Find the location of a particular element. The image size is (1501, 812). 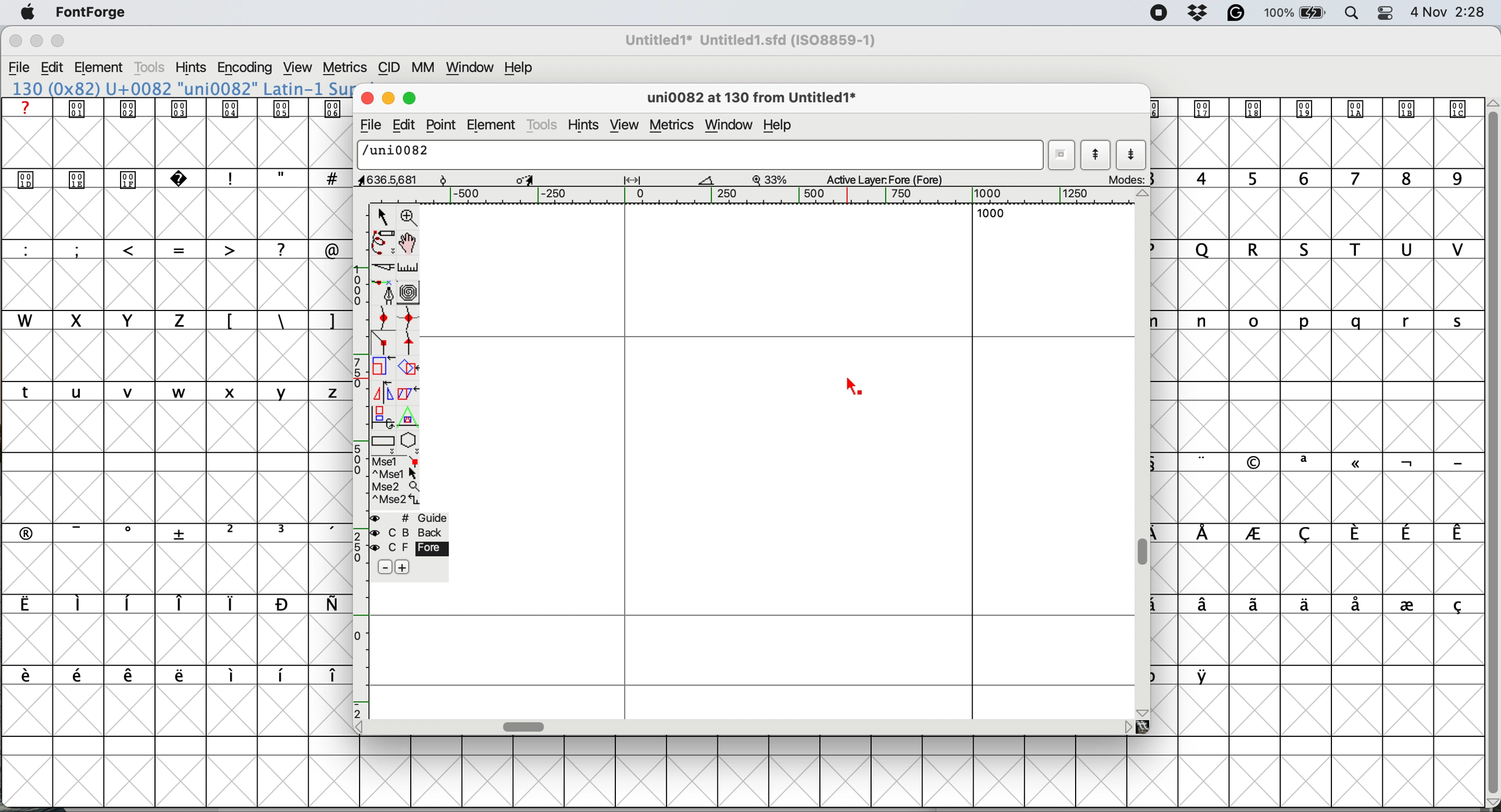

edit is located at coordinates (52, 68).